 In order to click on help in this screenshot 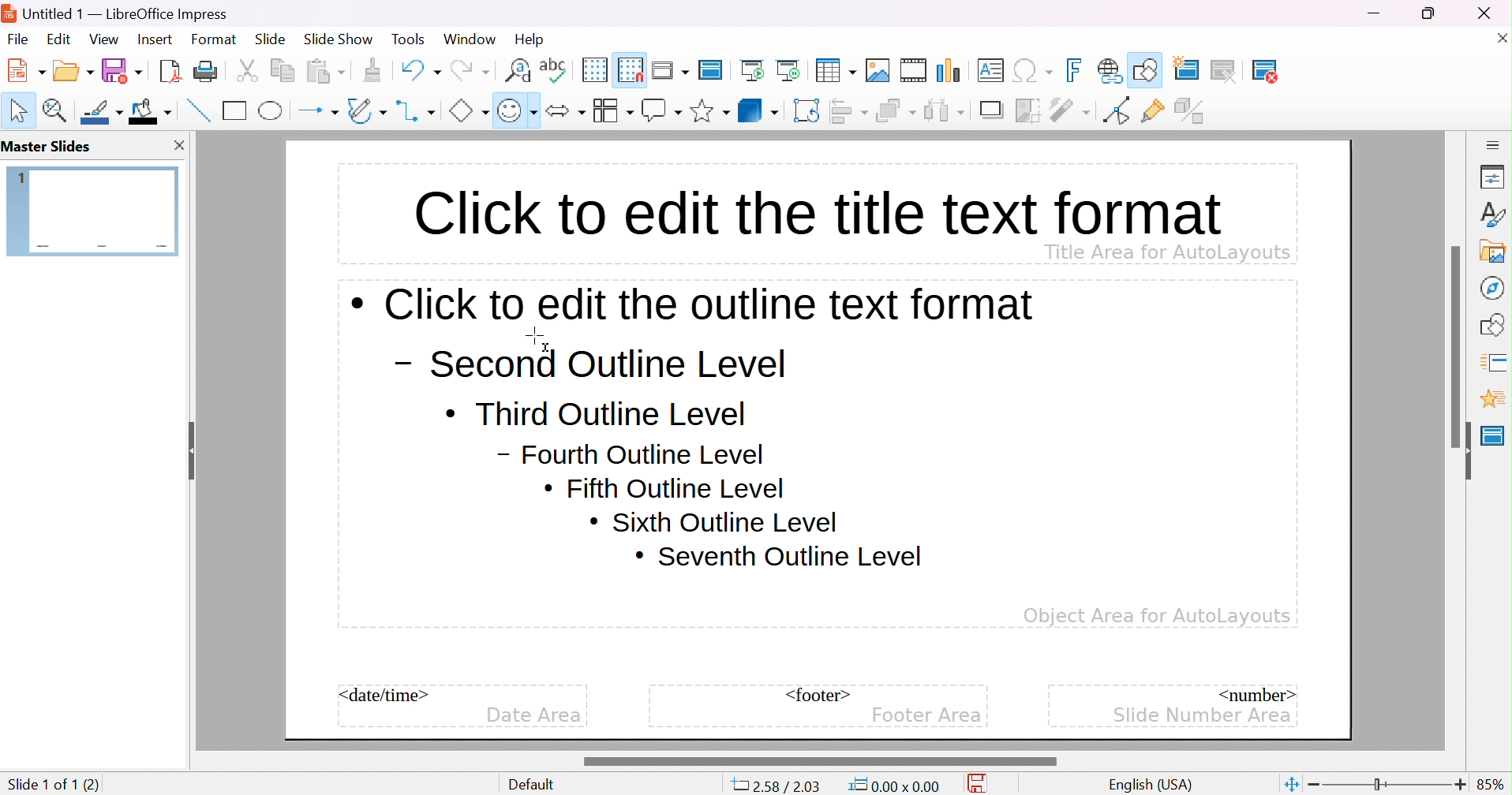, I will do `click(531, 39)`.